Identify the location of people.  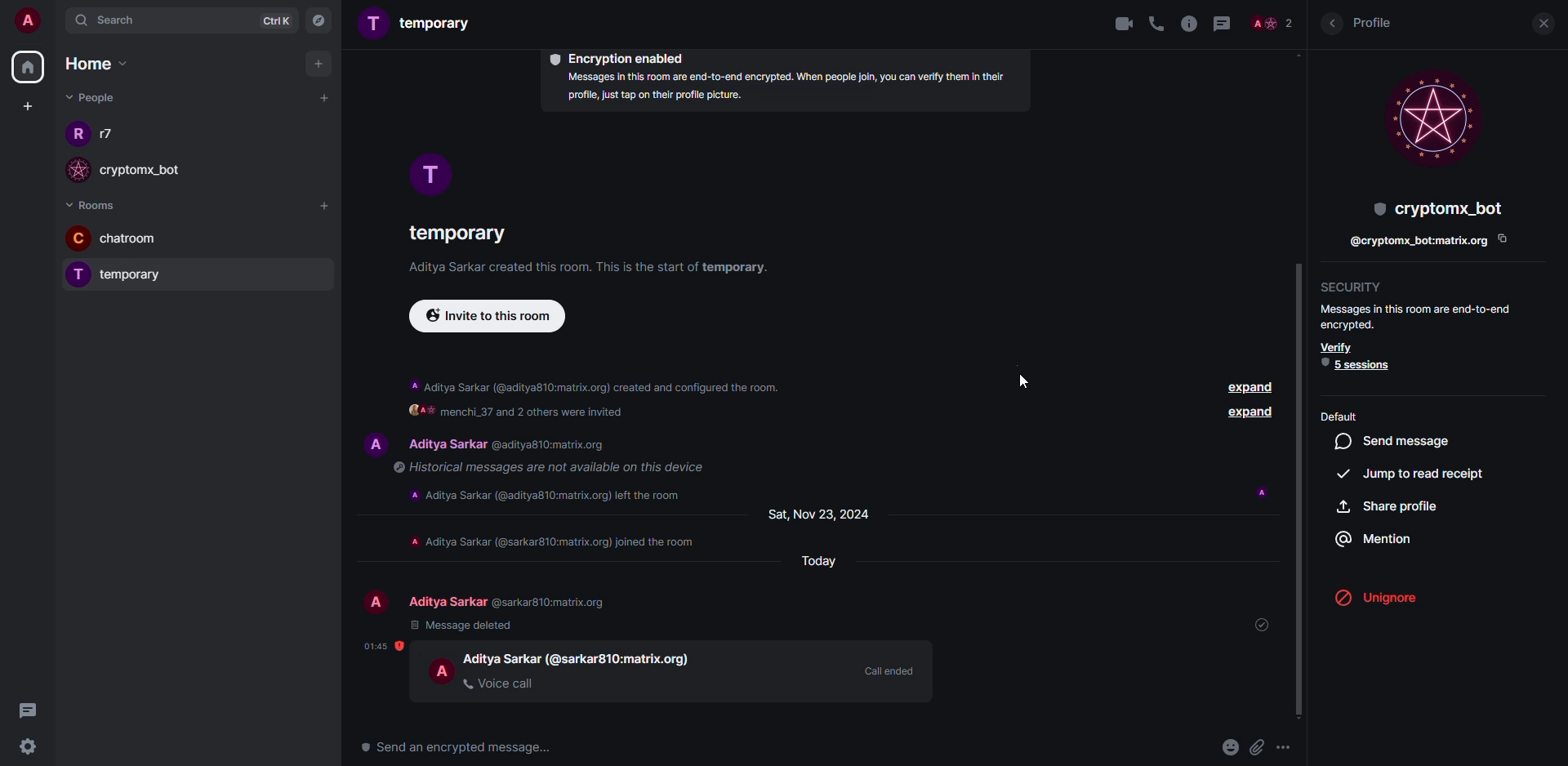
(1272, 23).